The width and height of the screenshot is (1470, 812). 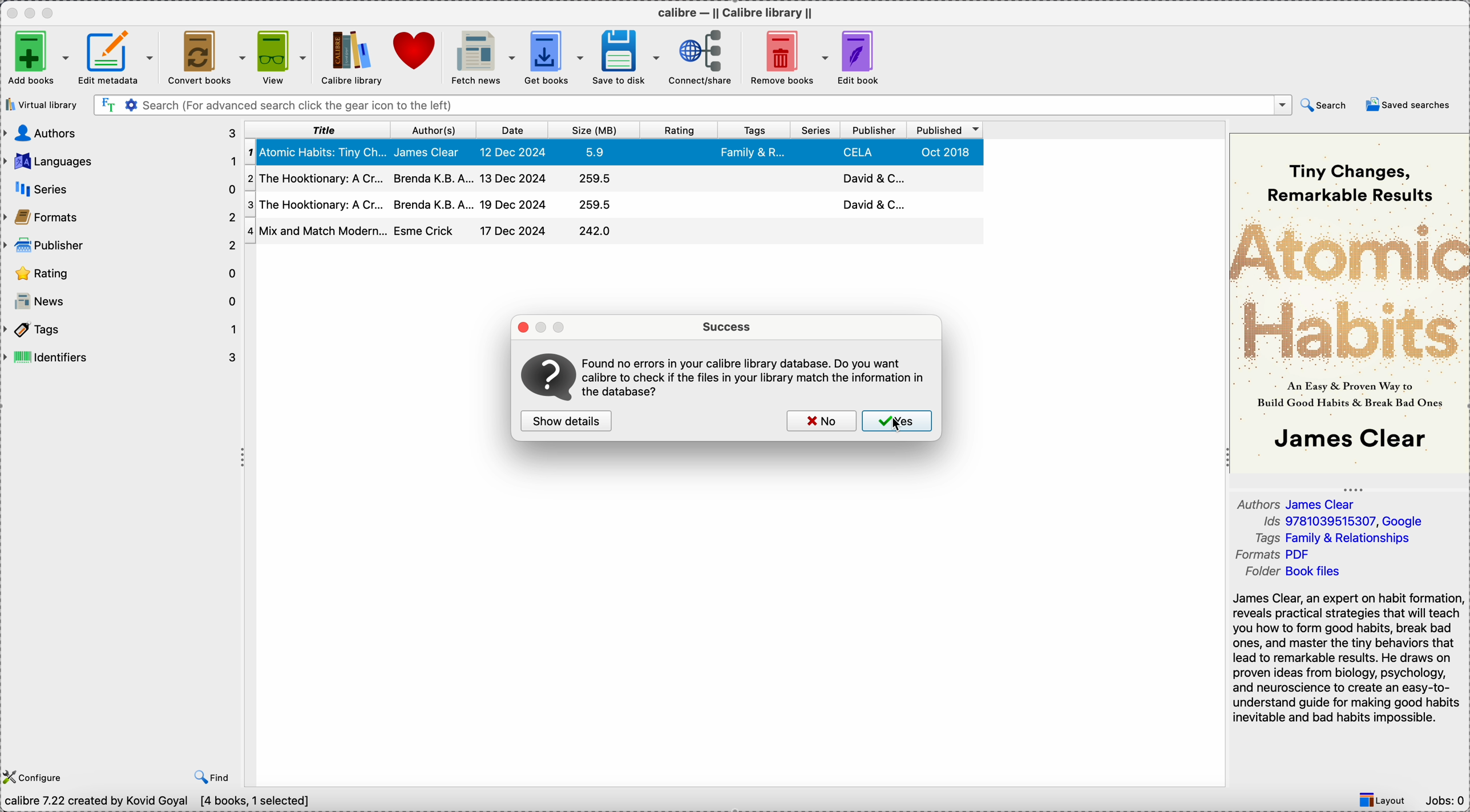 What do you see at coordinates (824, 422) in the screenshot?
I see `no` at bounding box center [824, 422].